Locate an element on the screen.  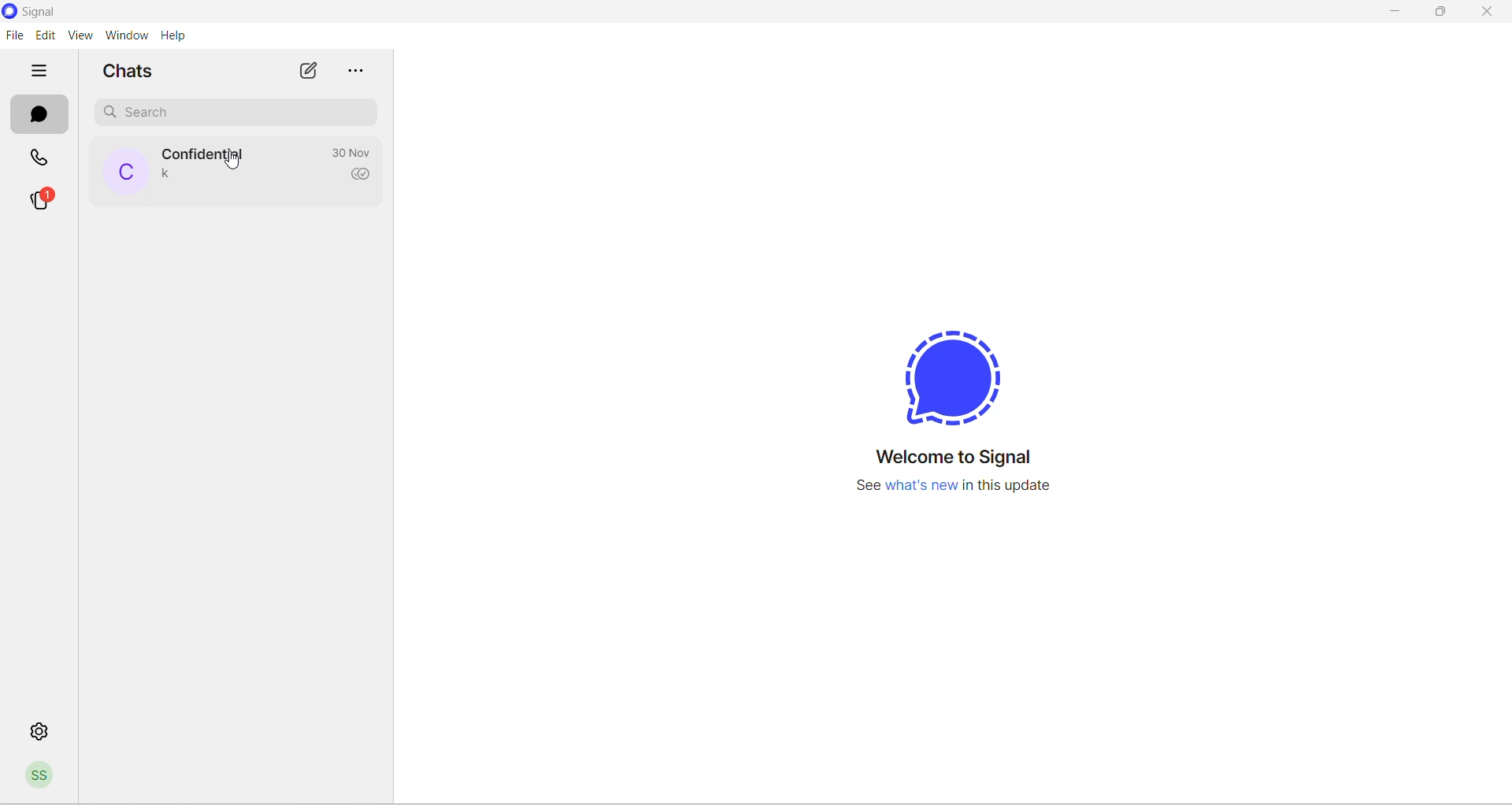
stories is located at coordinates (41, 200).